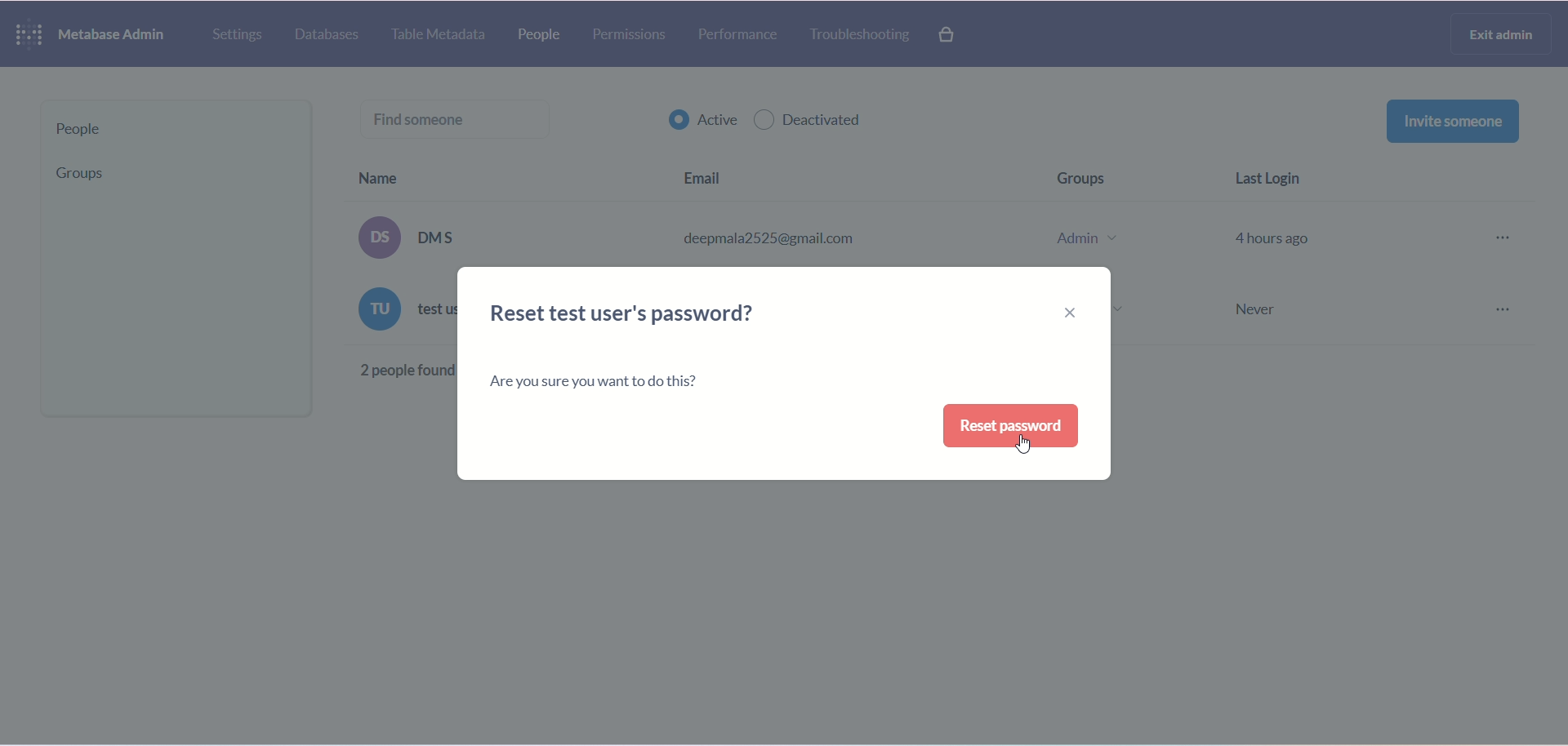 The width and height of the screenshot is (1568, 746). I want to click on settings, so click(236, 35).